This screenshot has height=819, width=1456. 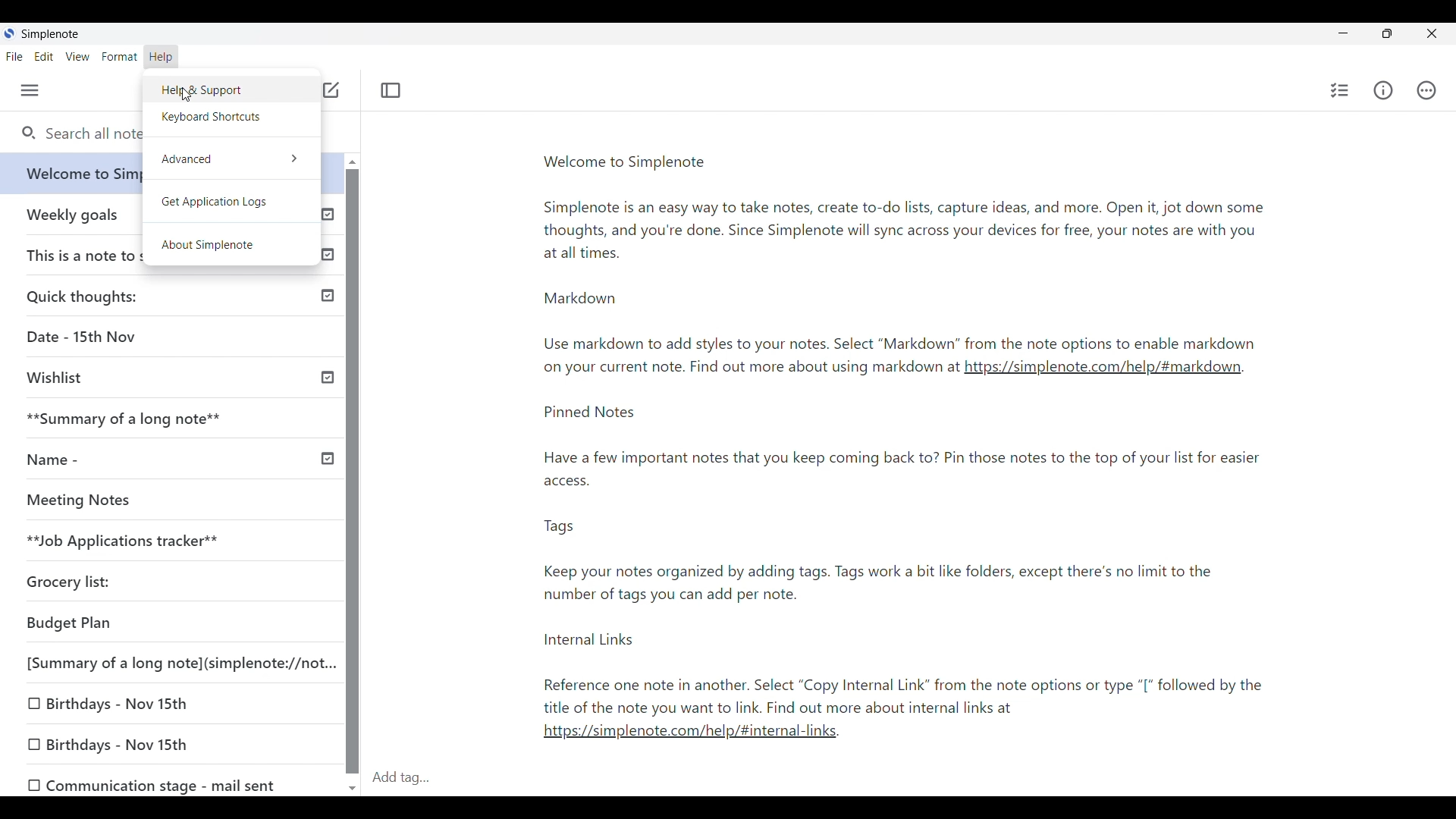 I want to click on Name -, so click(x=156, y=457).